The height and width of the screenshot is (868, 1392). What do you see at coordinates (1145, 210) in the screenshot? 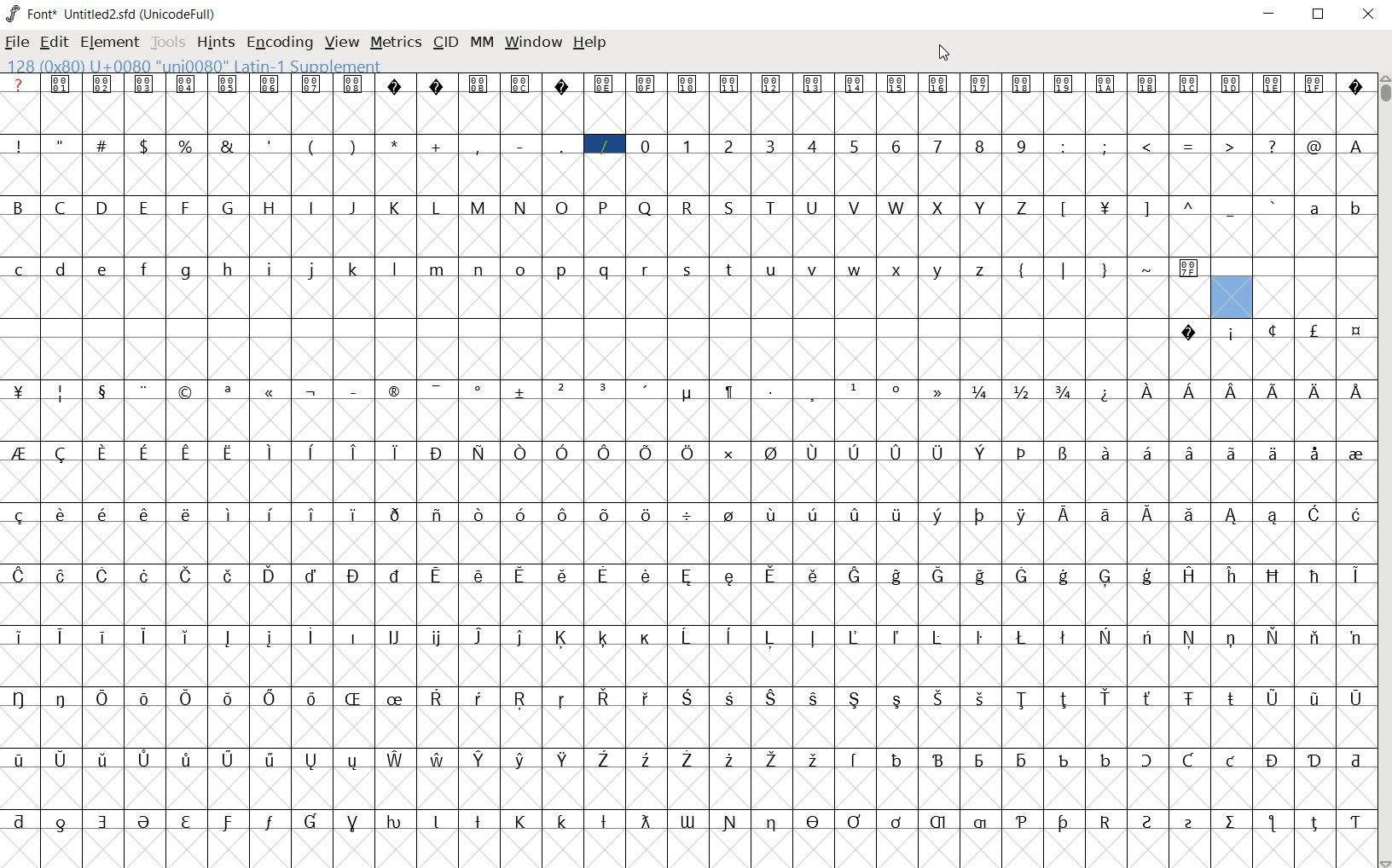
I see `glyph` at bounding box center [1145, 210].